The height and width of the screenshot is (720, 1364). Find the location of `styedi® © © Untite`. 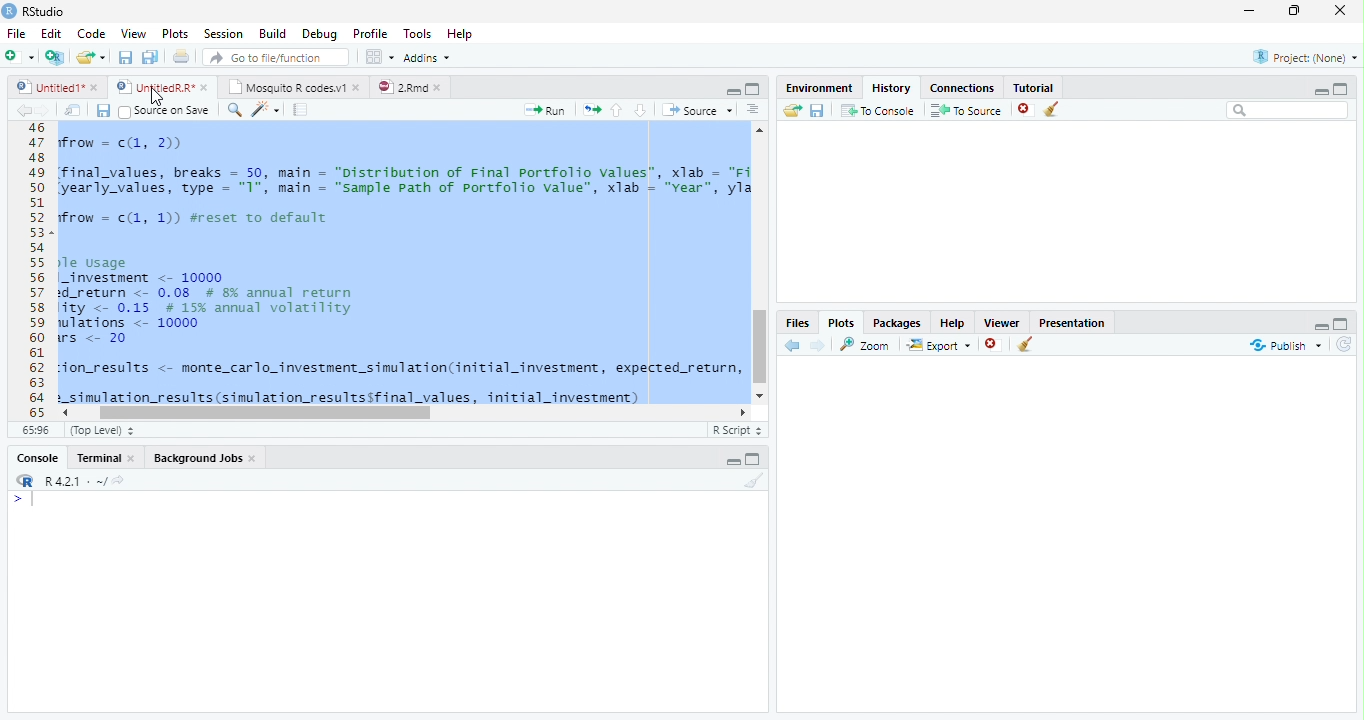

styedi® © © Untite is located at coordinates (162, 87).